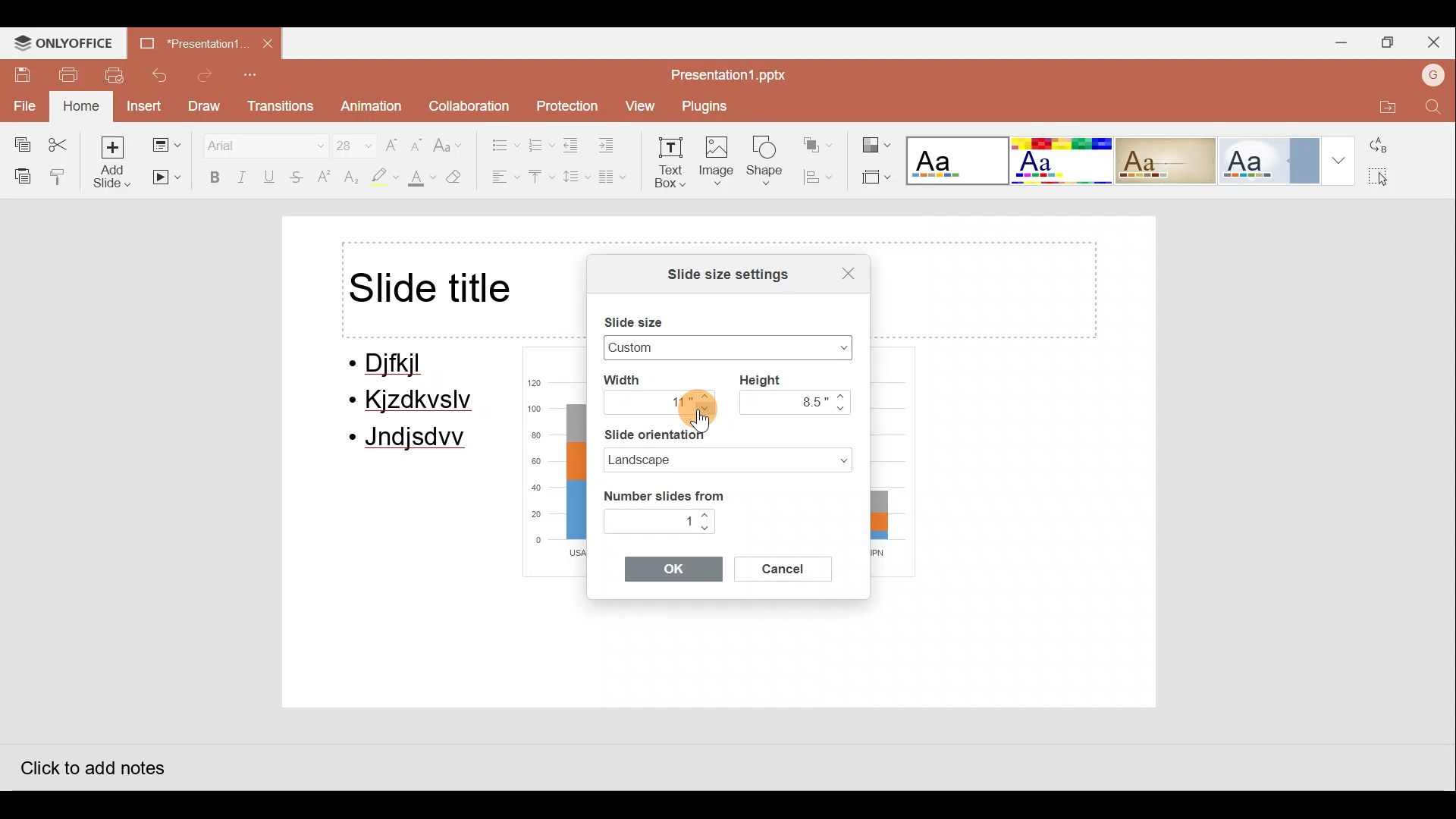  Describe the element at coordinates (662, 493) in the screenshot. I see `Number slides from` at that location.